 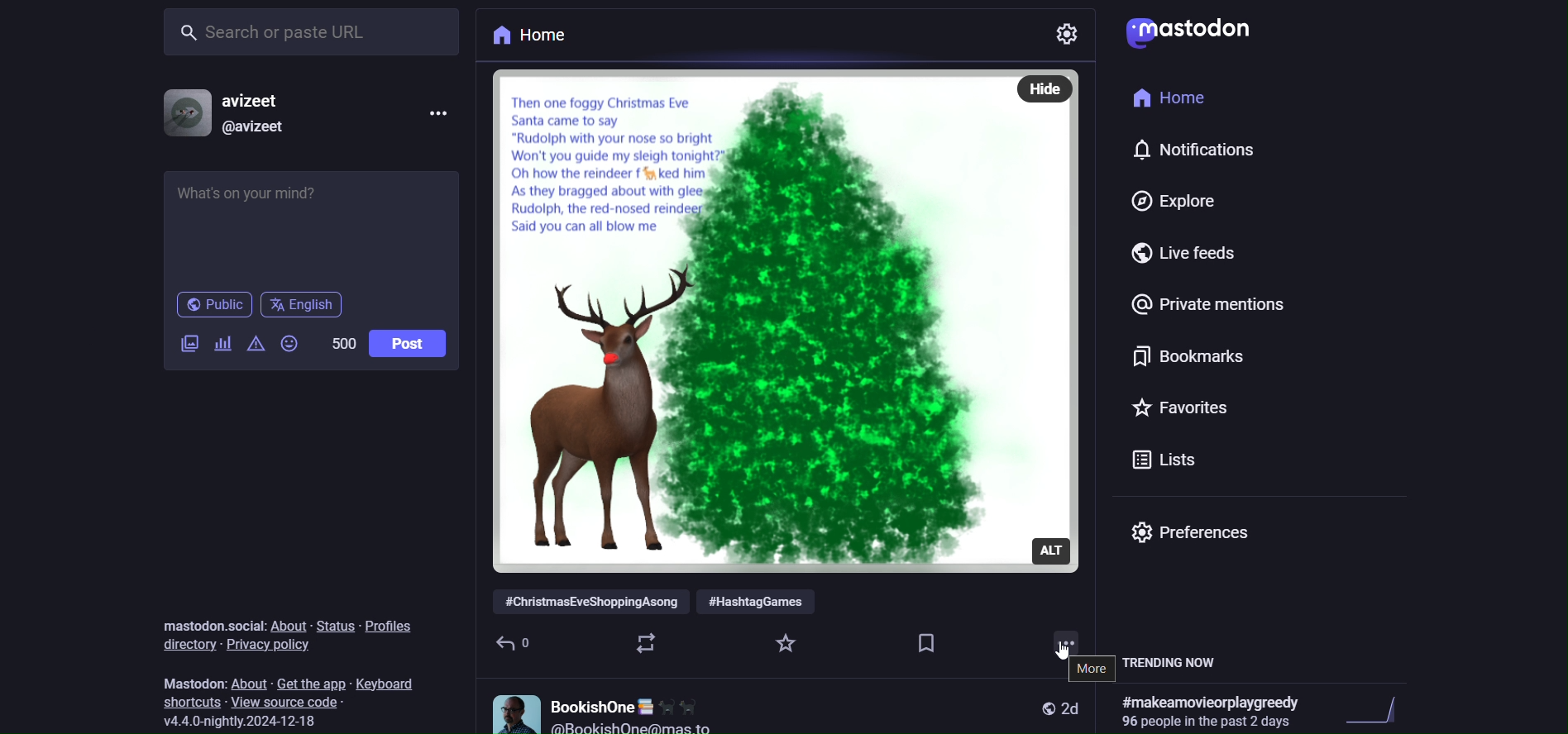 What do you see at coordinates (318, 31) in the screenshot?
I see `search or paste URL` at bounding box center [318, 31].